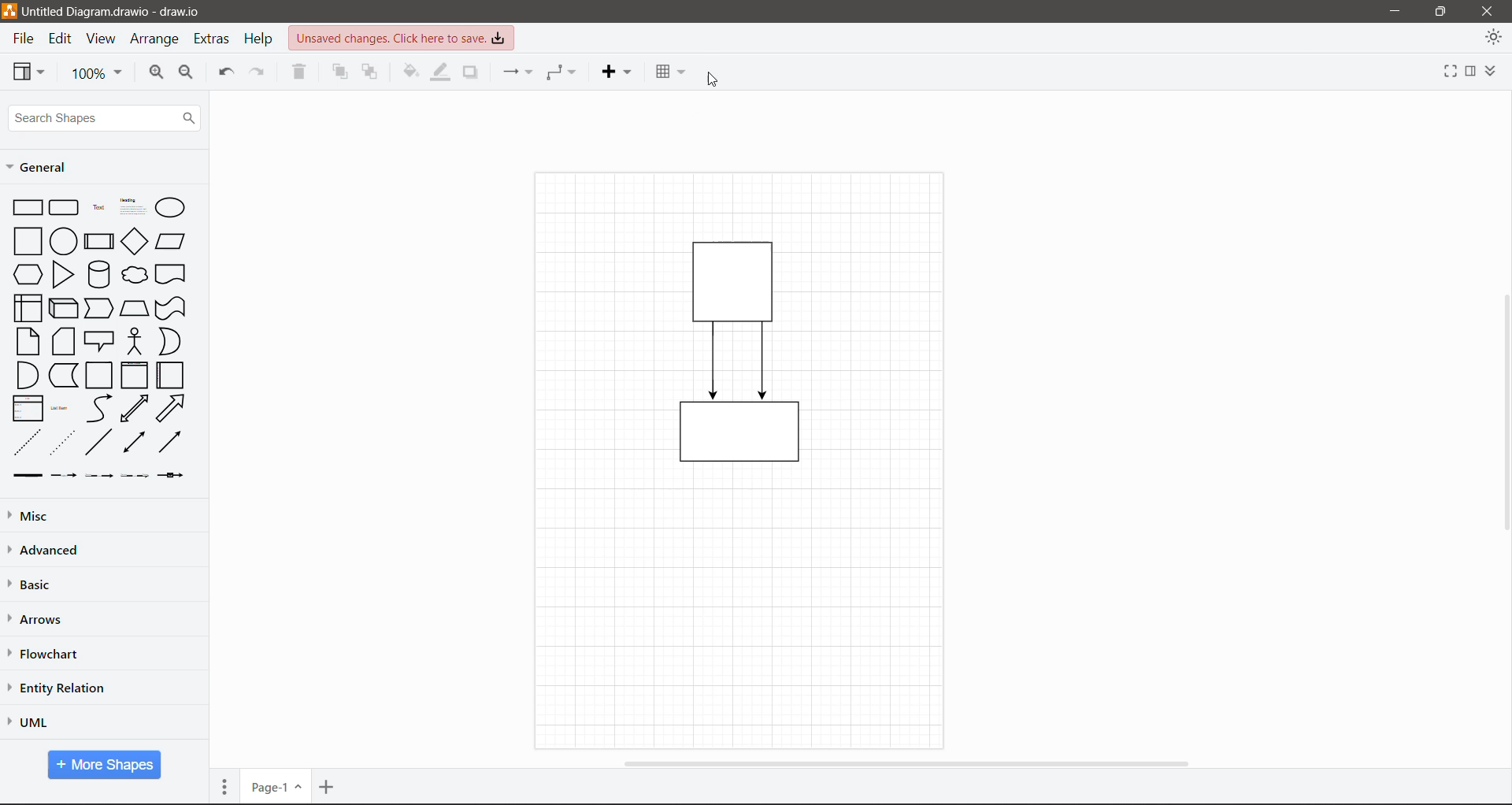 This screenshot has width=1512, height=805. Describe the element at coordinates (669, 69) in the screenshot. I see `Table` at that location.